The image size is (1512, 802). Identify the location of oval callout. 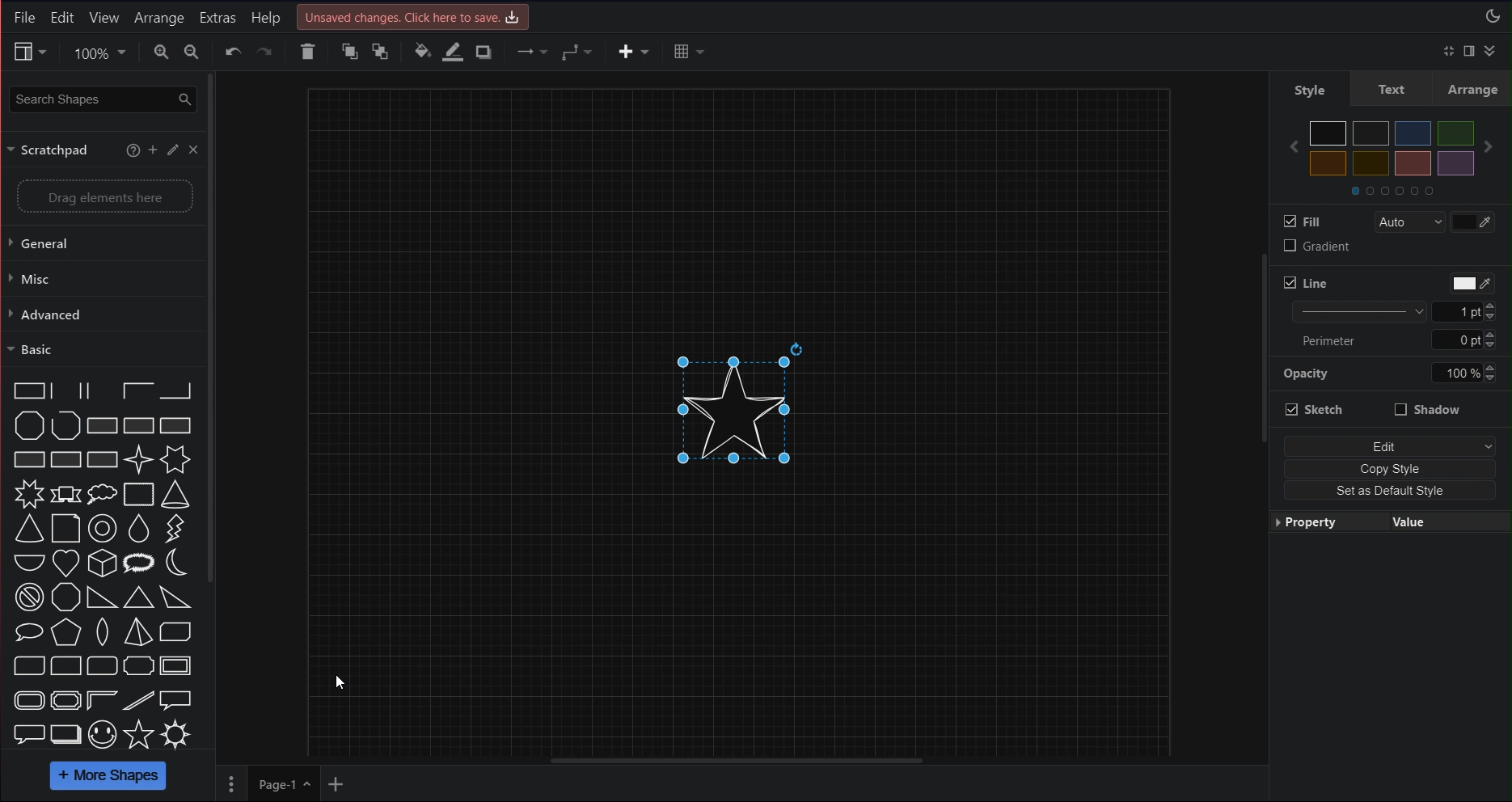
(30, 632).